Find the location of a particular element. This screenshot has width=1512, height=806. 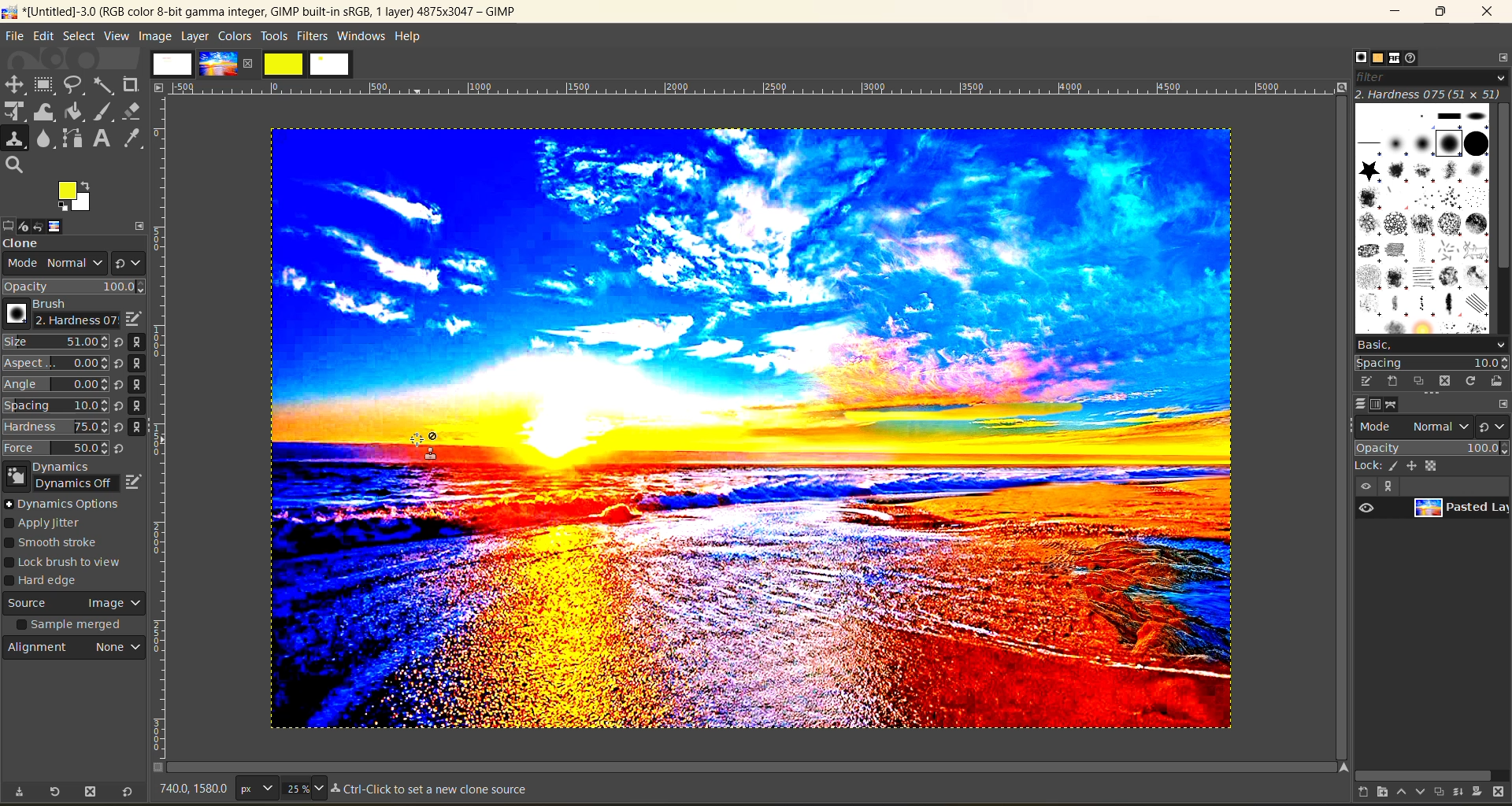

hardness is located at coordinates (1429, 94).